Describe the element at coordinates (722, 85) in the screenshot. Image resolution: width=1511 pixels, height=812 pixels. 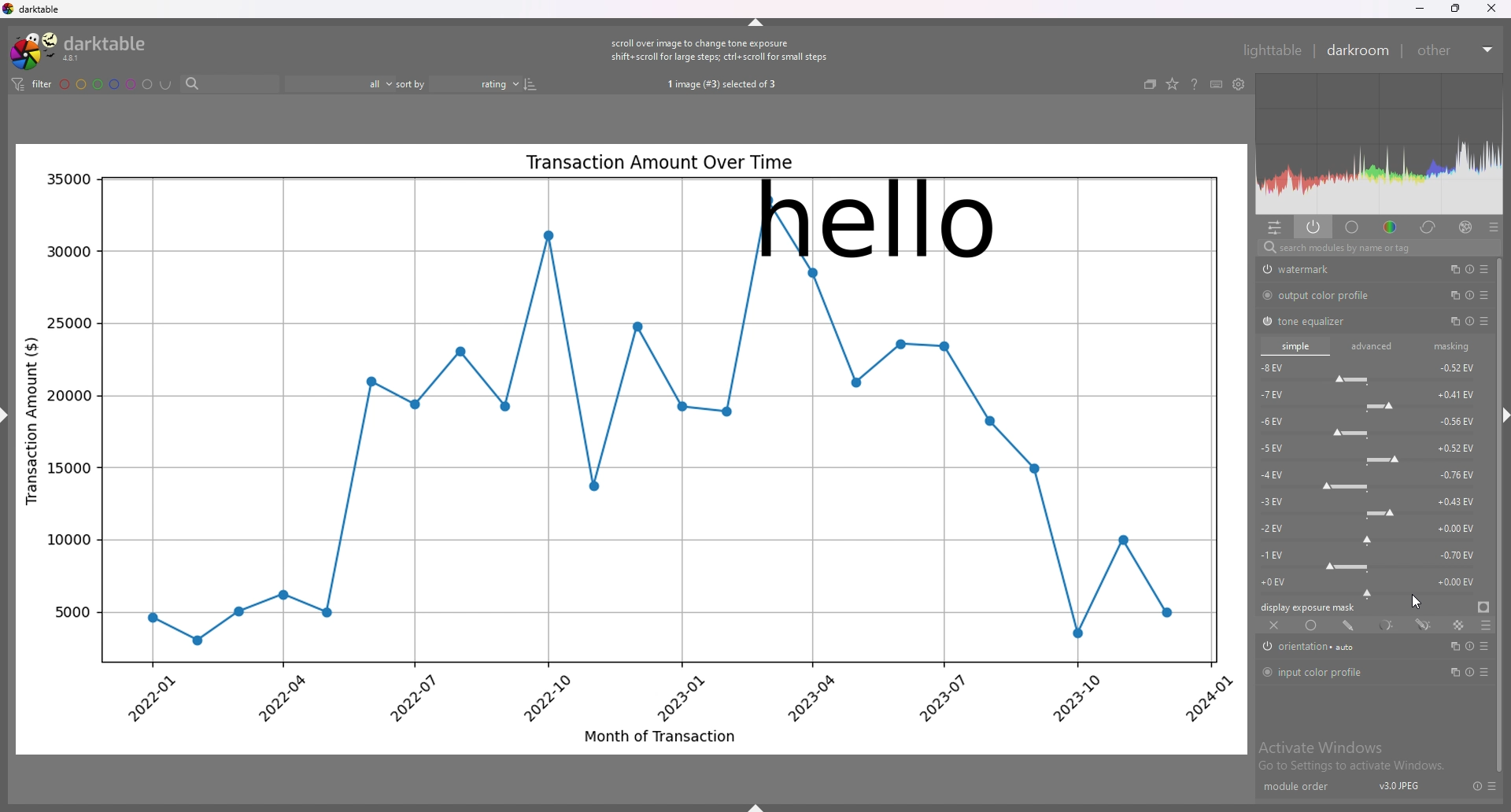
I see `1 image (#3) selected of 3` at that location.